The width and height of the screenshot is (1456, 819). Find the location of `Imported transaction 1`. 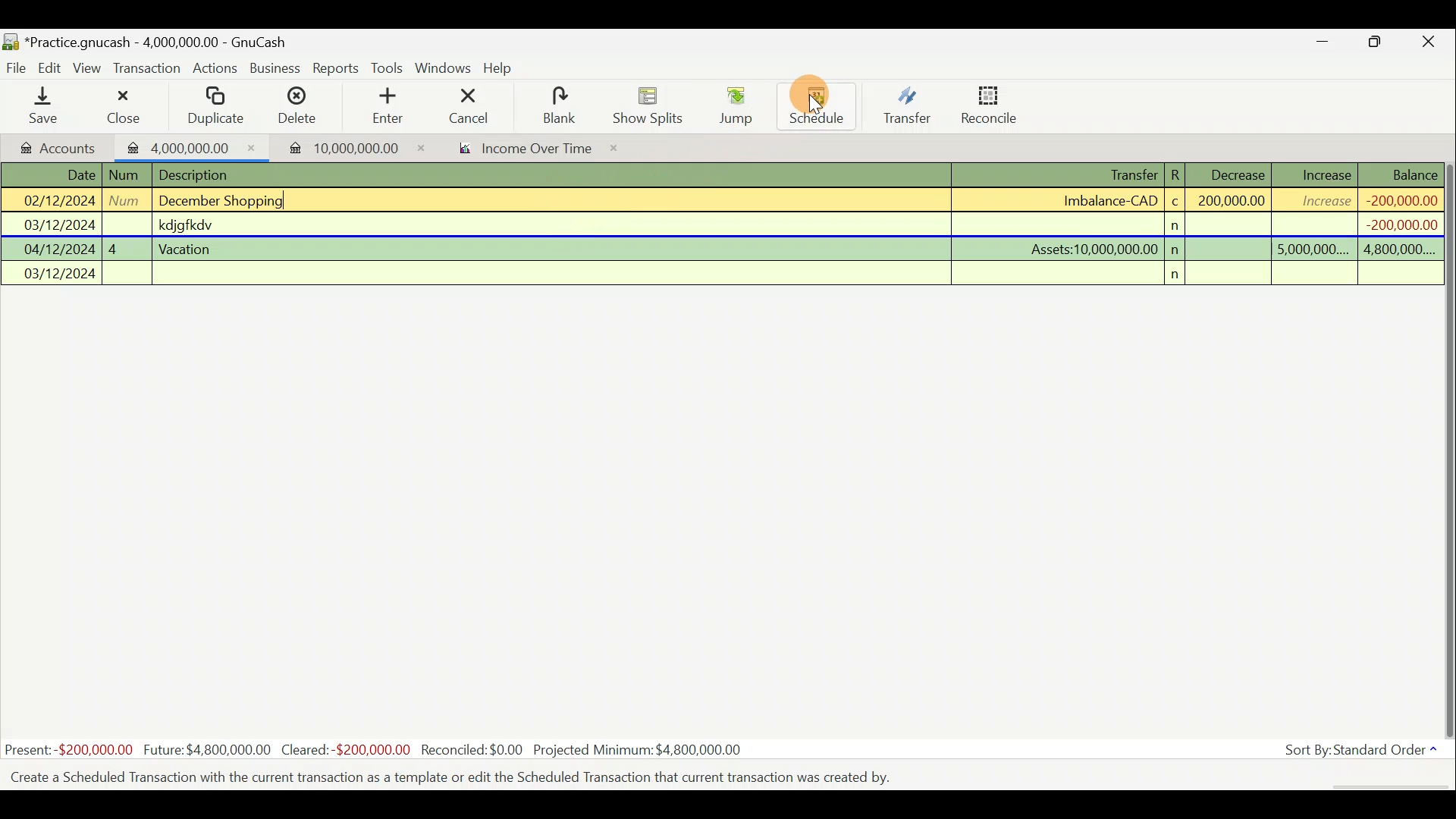

Imported transaction 1 is located at coordinates (193, 146).